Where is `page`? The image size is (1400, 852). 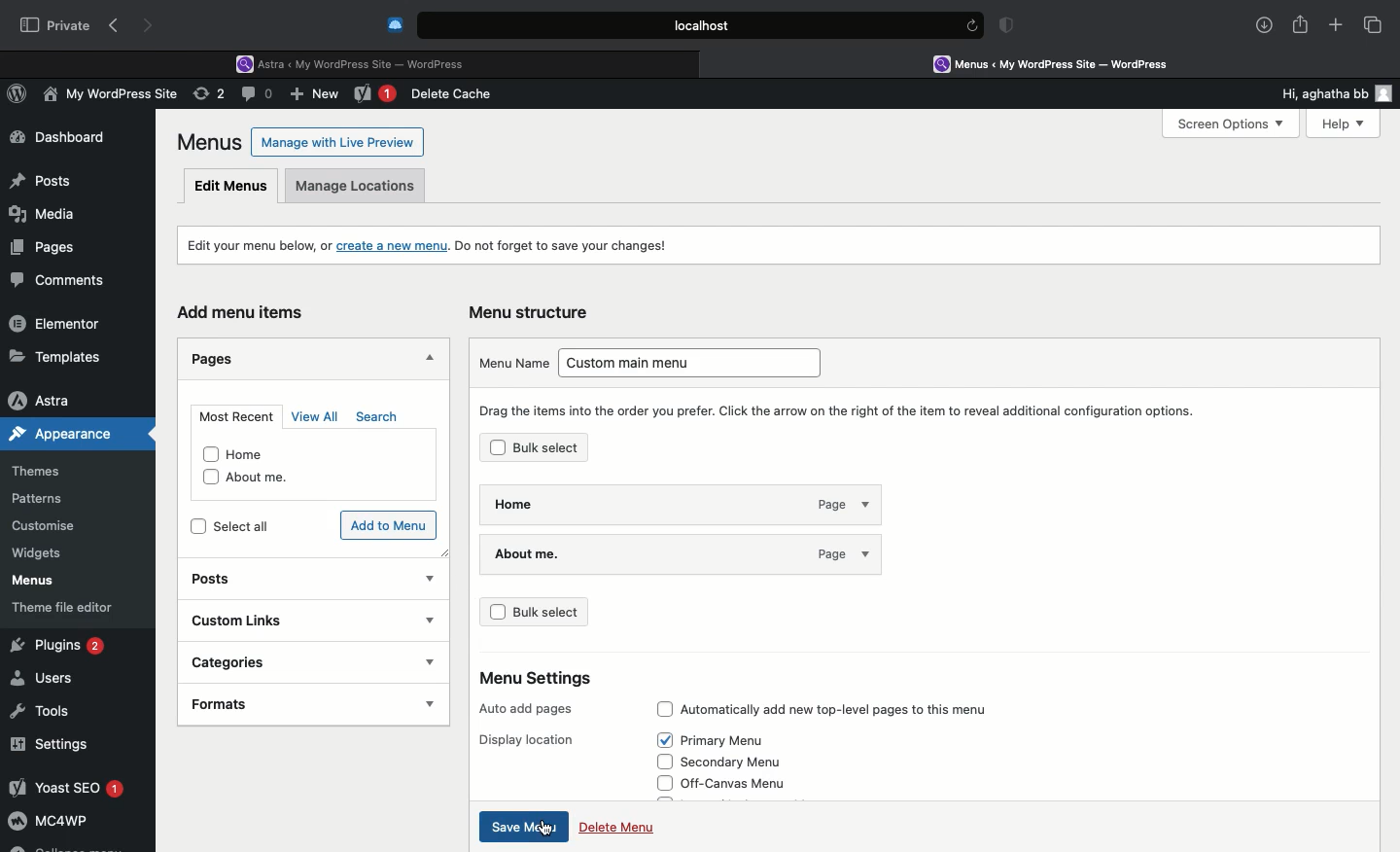 page is located at coordinates (845, 508).